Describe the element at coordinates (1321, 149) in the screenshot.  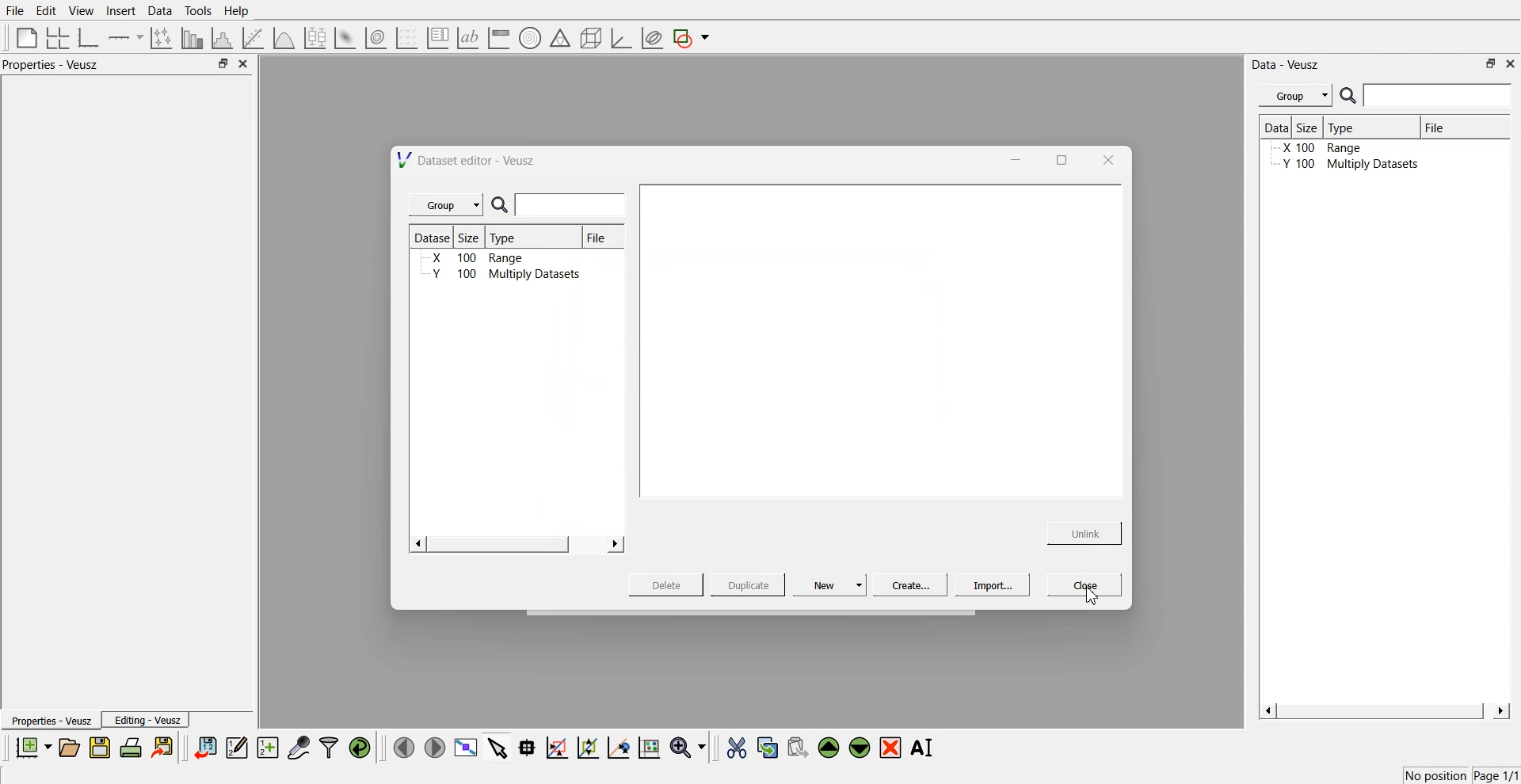
I see `X 100 Range` at that location.